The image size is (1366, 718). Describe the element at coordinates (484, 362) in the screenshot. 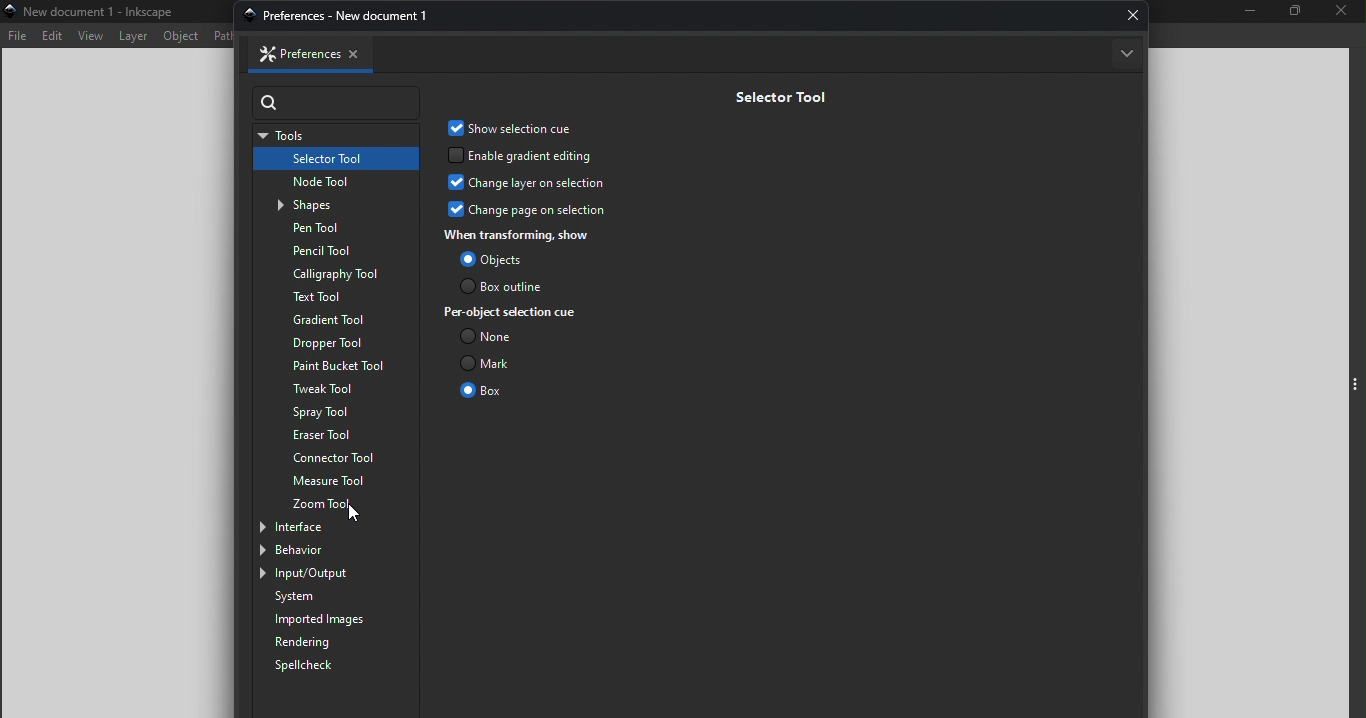

I see `Mark` at that location.